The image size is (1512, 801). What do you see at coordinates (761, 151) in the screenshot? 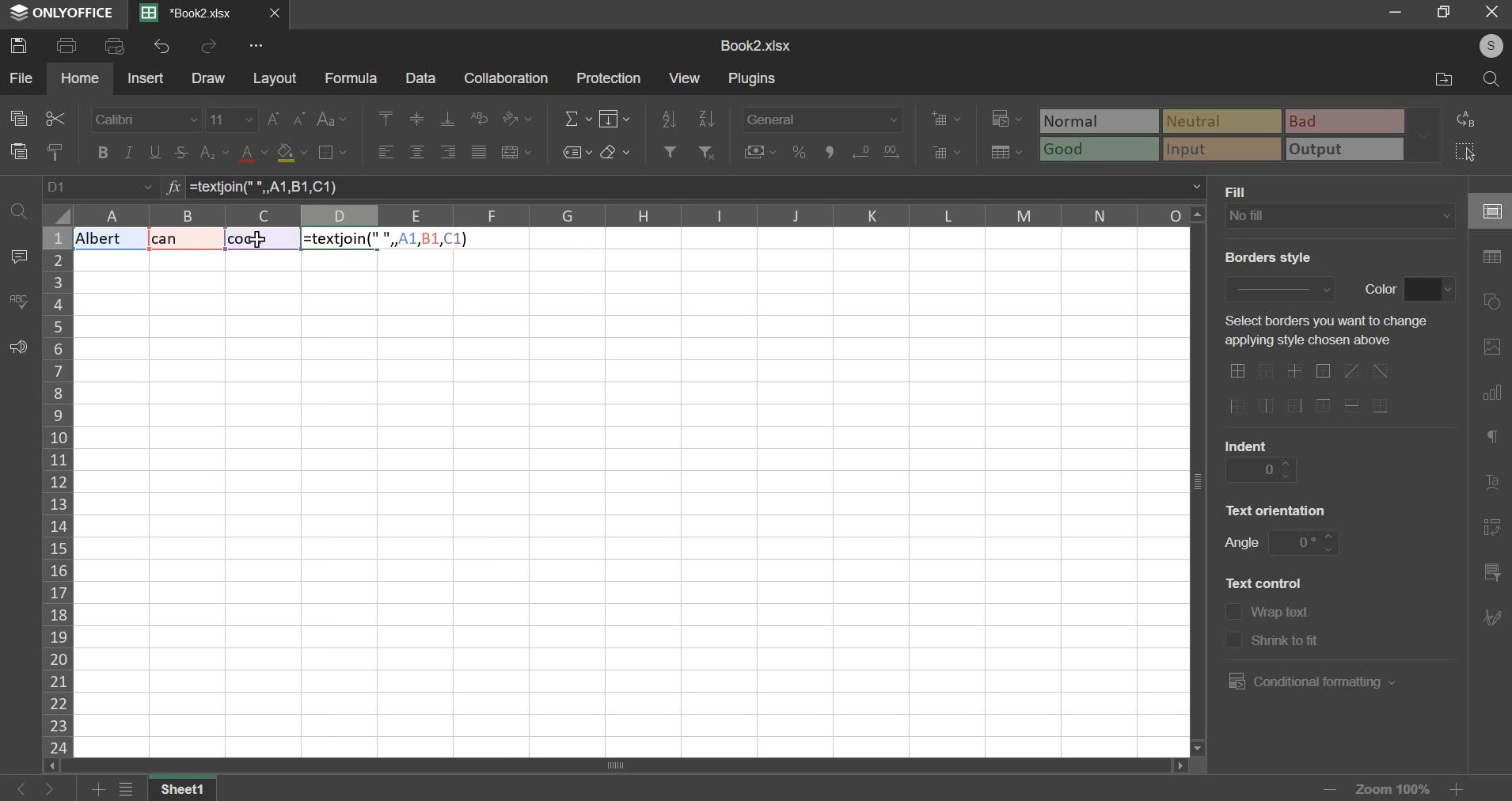
I see `accounting style` at bounding box center [761, 151].